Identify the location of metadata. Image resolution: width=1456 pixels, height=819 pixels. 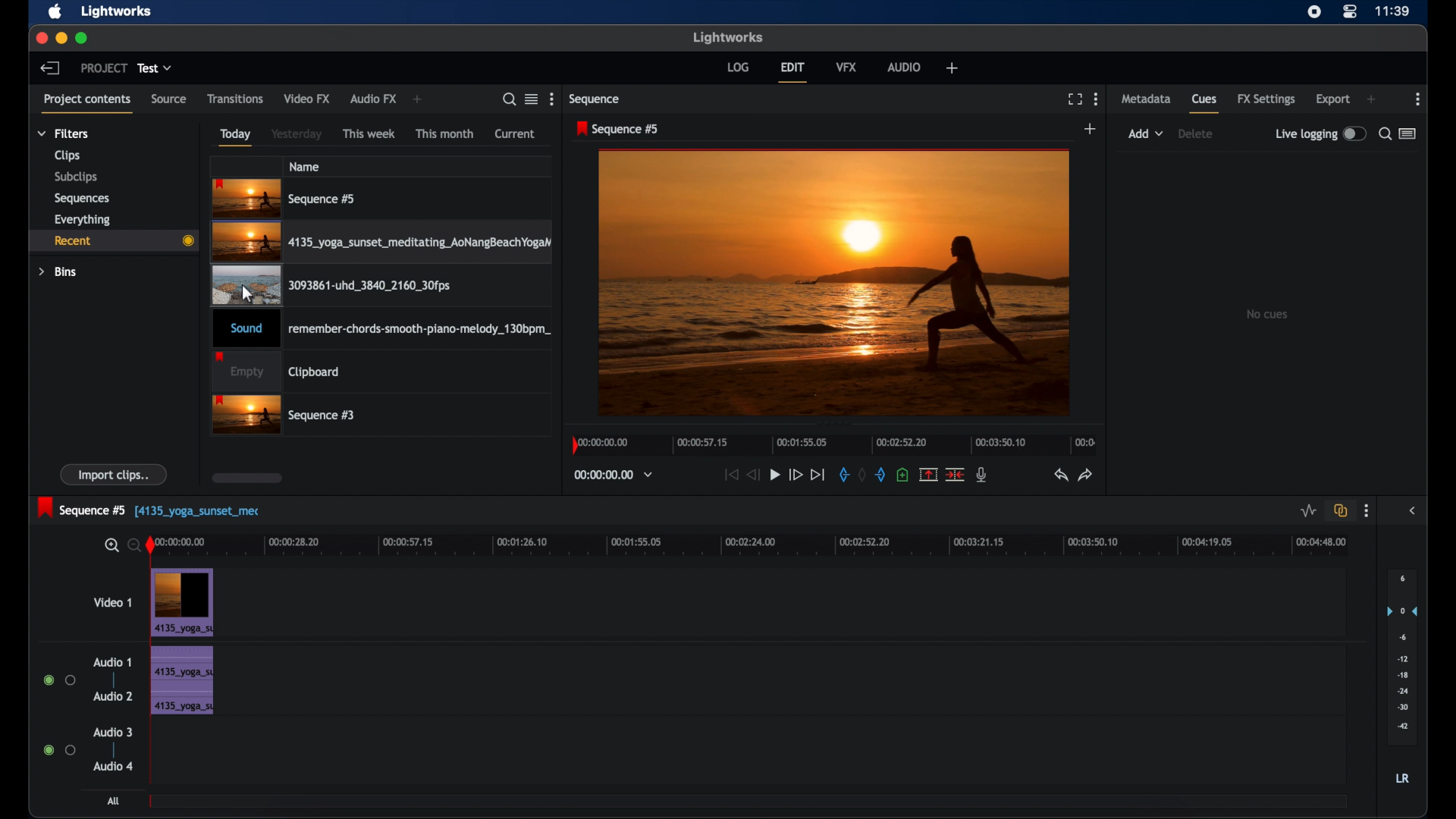
(1145, 99).